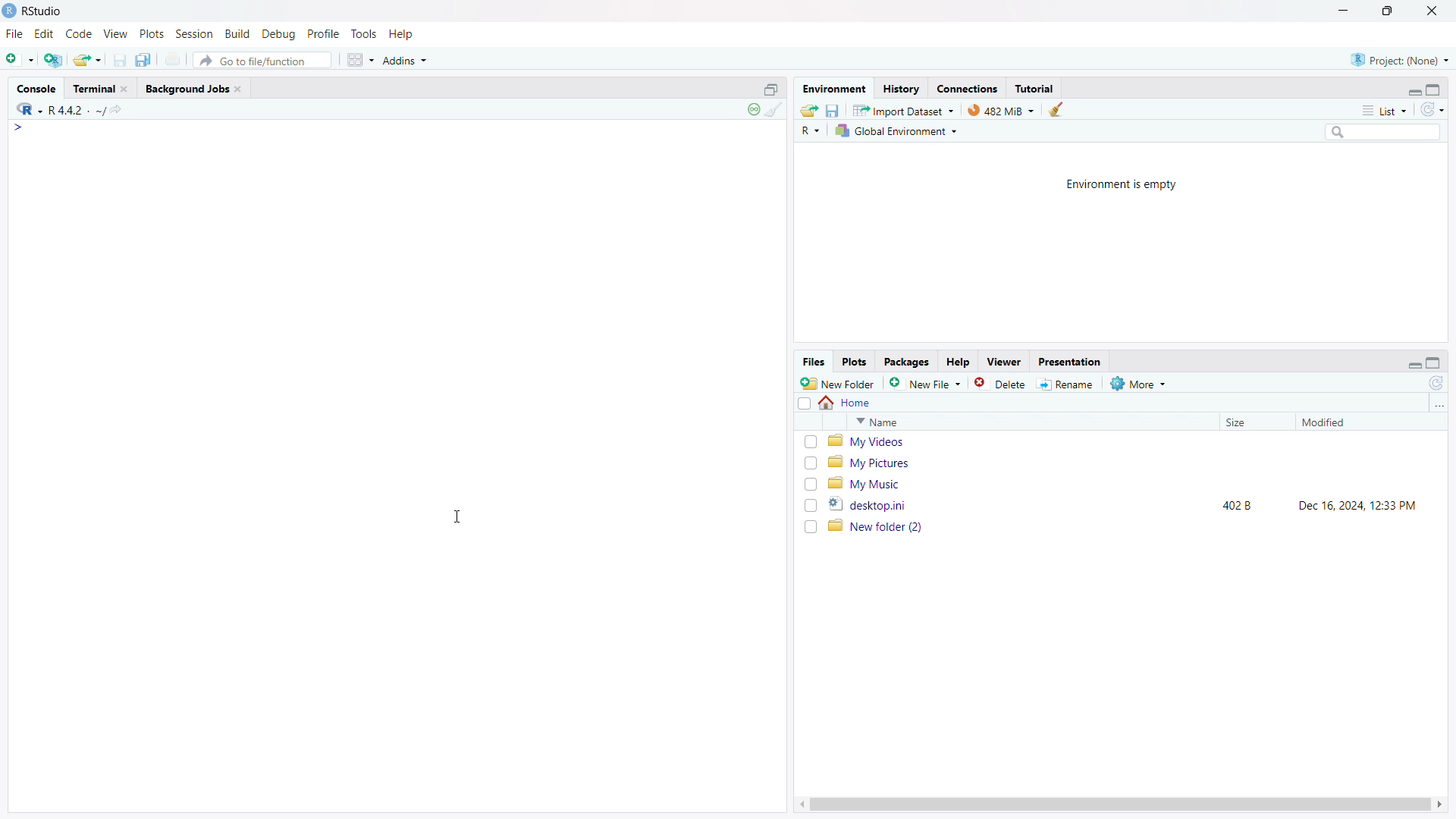 The width and height of the screenshot is (1456, 819). Describe the element at coordinates (324, 34) in the screenshot. I see `profile` at that location.